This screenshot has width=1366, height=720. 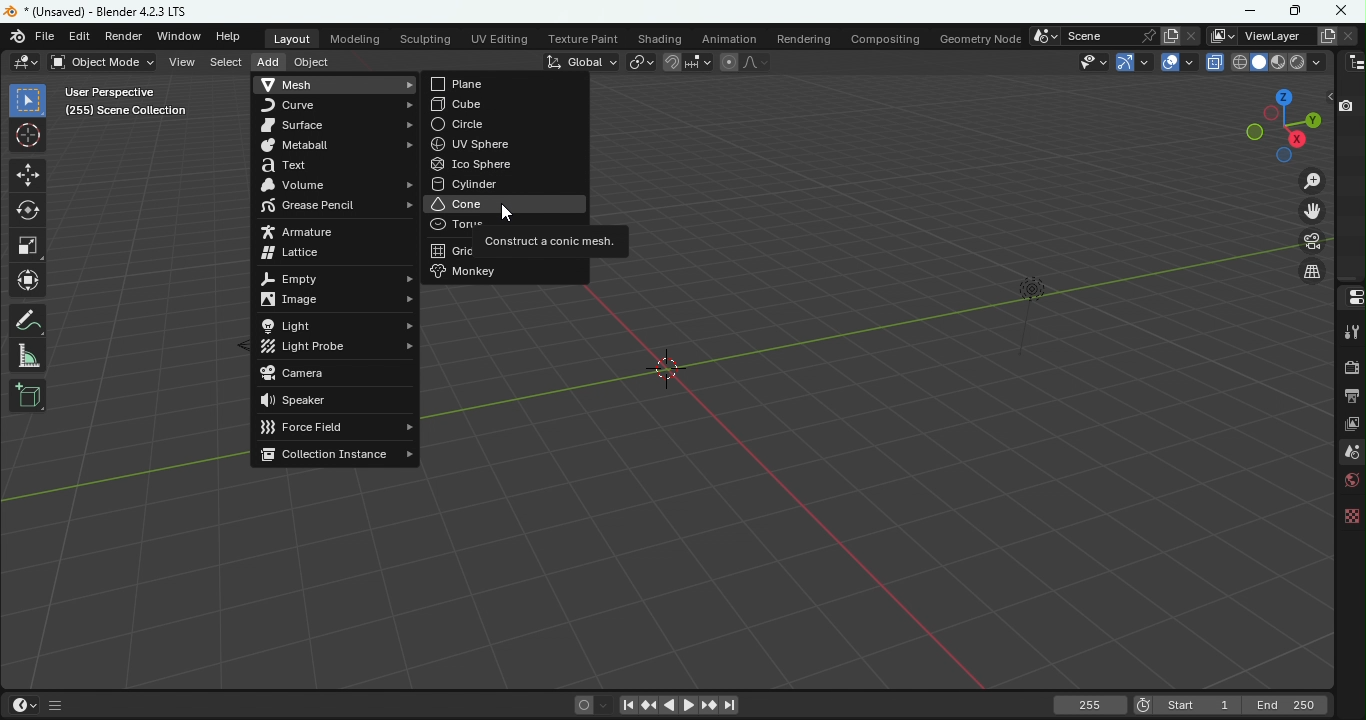 What do you see at coordinates (1146, 35) in the screenshot?
I see `Pin scene in the workspace` at bounding box center [1146, 35].